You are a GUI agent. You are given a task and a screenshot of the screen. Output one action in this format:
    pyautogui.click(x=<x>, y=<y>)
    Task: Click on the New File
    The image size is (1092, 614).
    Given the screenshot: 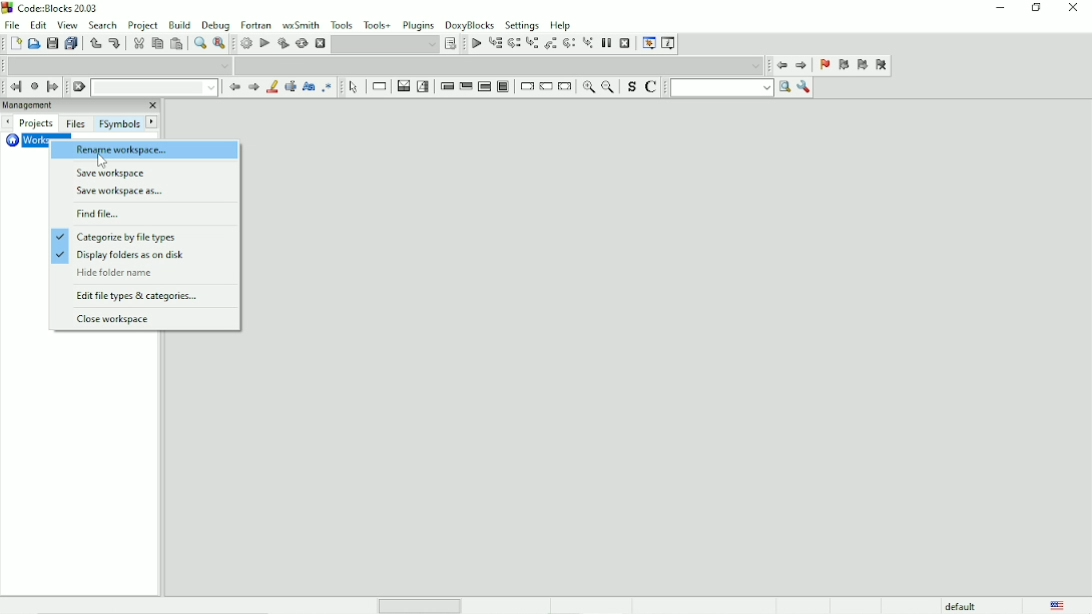 What is the action you would take?
    pyautogui.click(x=16, y=44)
    